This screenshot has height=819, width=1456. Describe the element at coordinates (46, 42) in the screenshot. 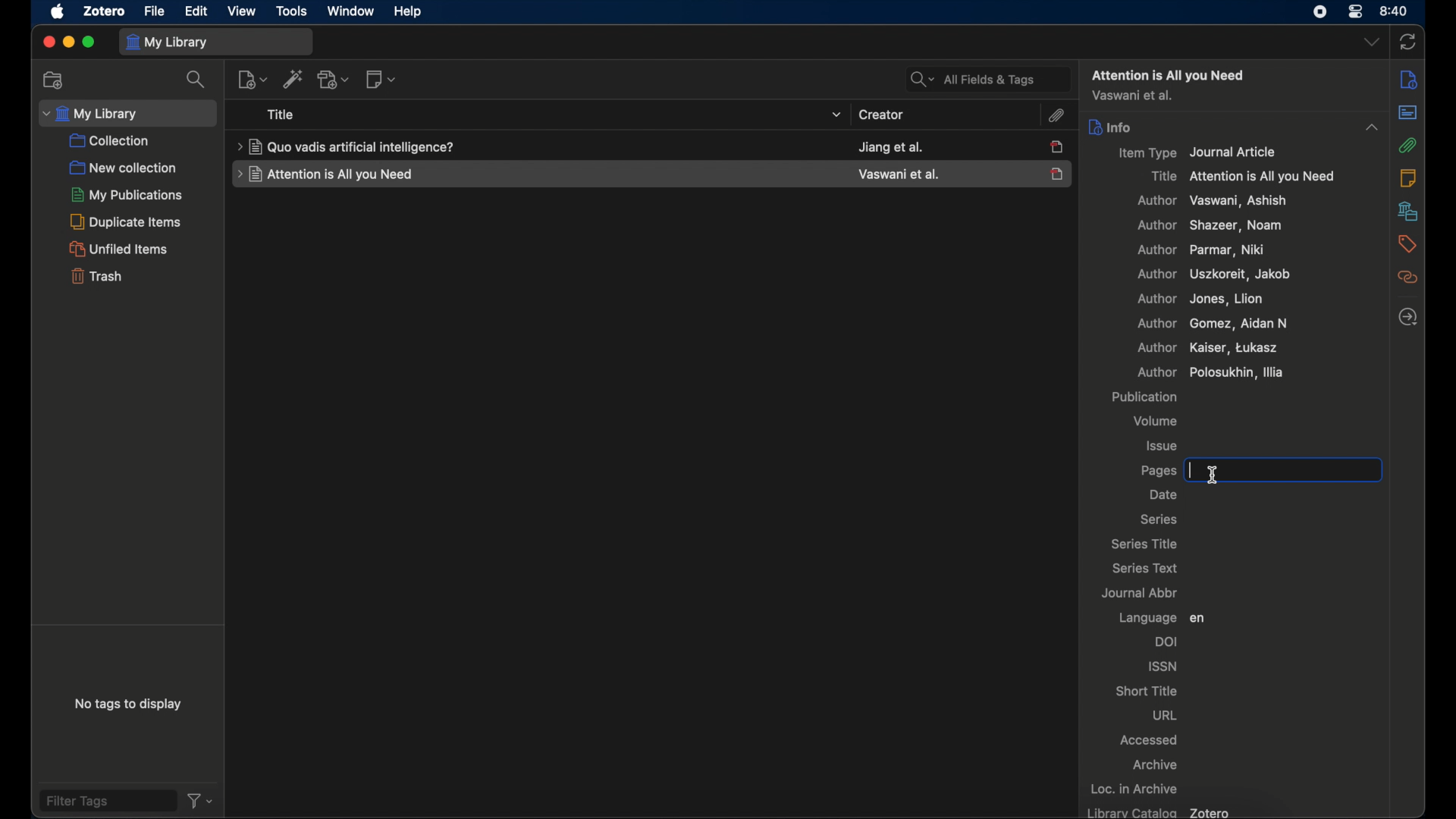

I see `close` at that location.